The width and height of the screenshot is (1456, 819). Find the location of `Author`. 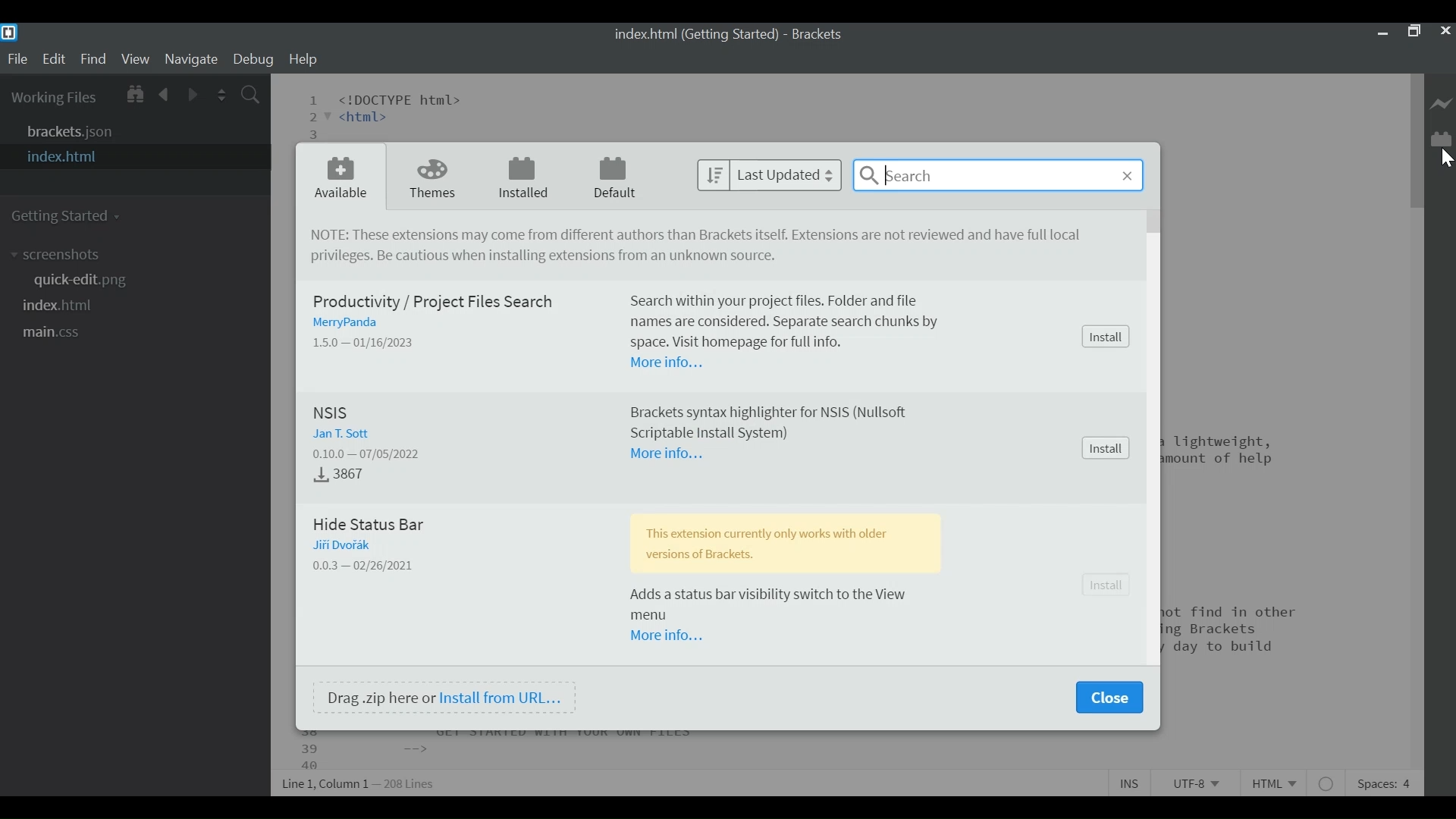

Author is located at coordinates (348, 323).